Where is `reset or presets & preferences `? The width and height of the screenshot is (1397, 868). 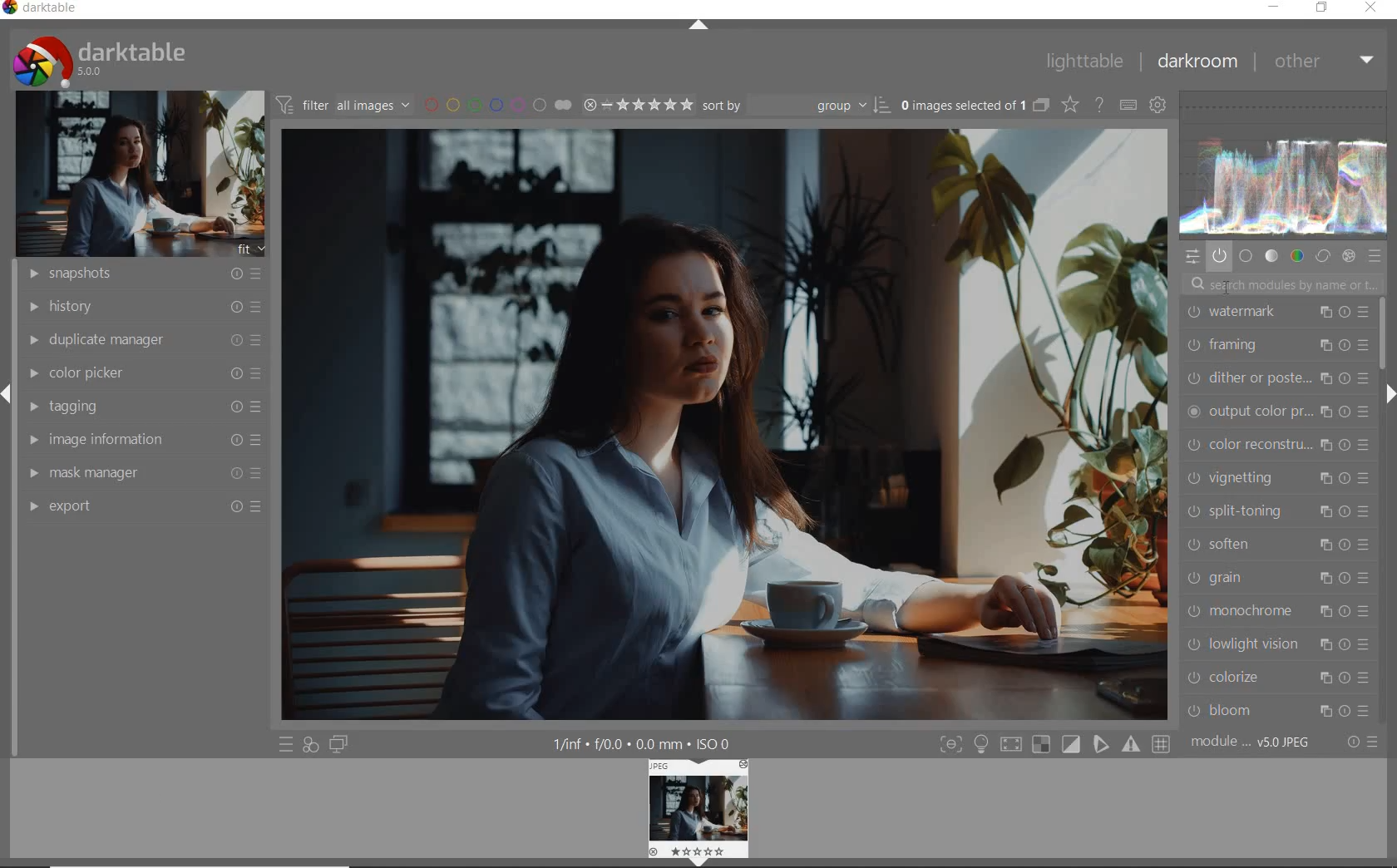 reset or presets & preferences  is located at coordinates (1361, 742).